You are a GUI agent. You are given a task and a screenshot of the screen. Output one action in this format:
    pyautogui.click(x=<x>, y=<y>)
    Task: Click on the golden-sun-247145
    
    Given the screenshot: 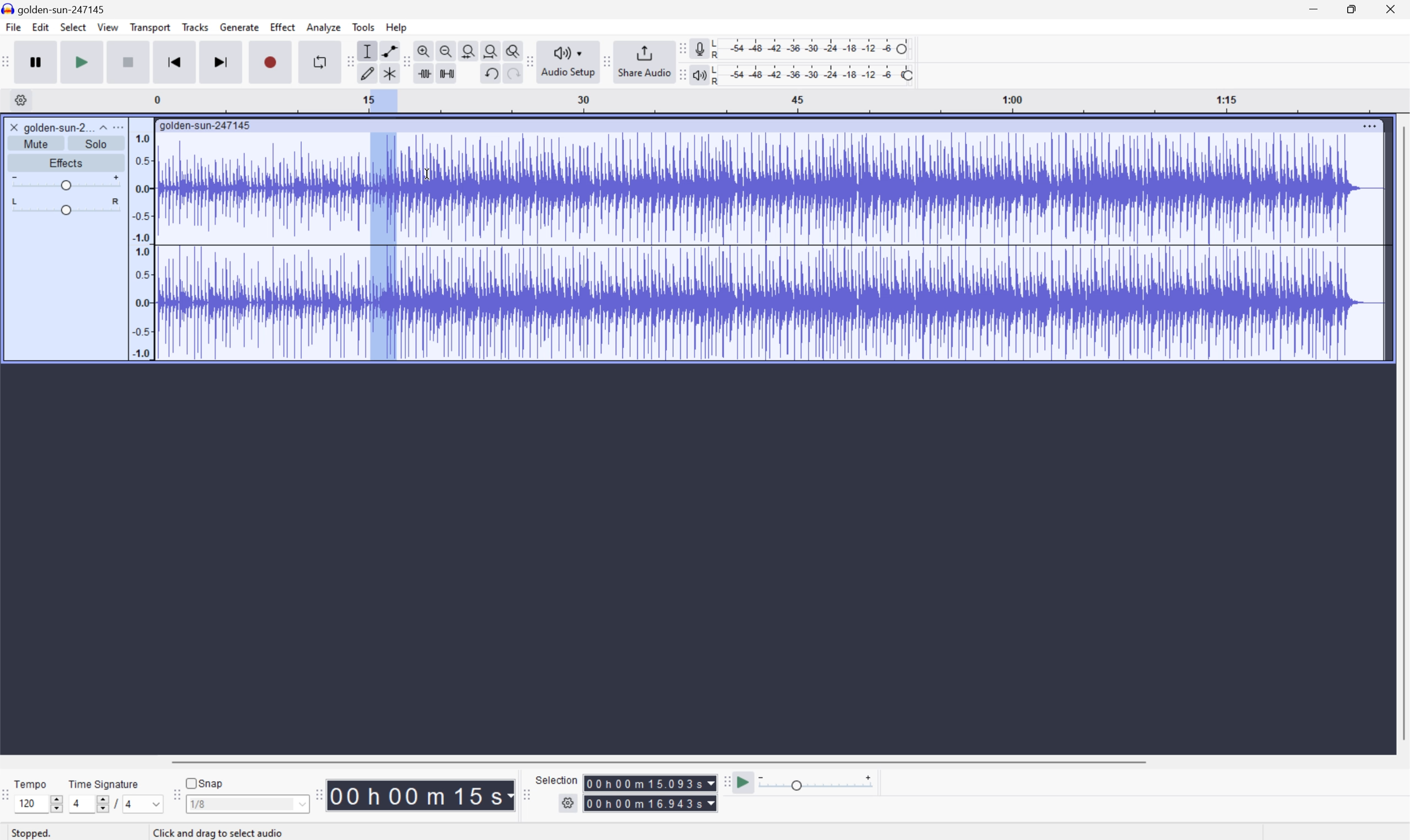 What is the action you would take?
    pyautogui.click(x=57, y=8)
    